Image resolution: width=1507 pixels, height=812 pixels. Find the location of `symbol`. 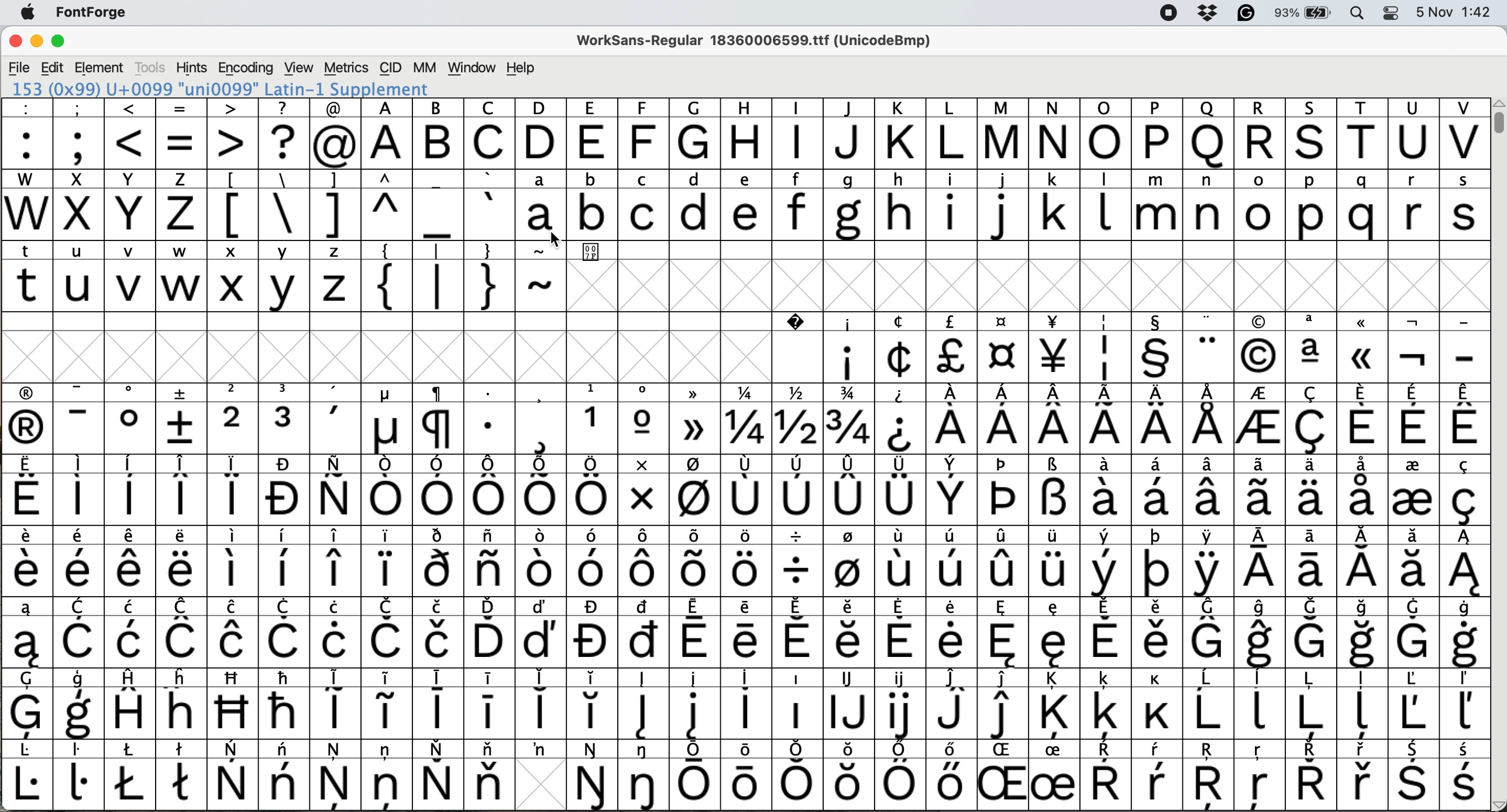

symbol is located at coordinates (133, 632).